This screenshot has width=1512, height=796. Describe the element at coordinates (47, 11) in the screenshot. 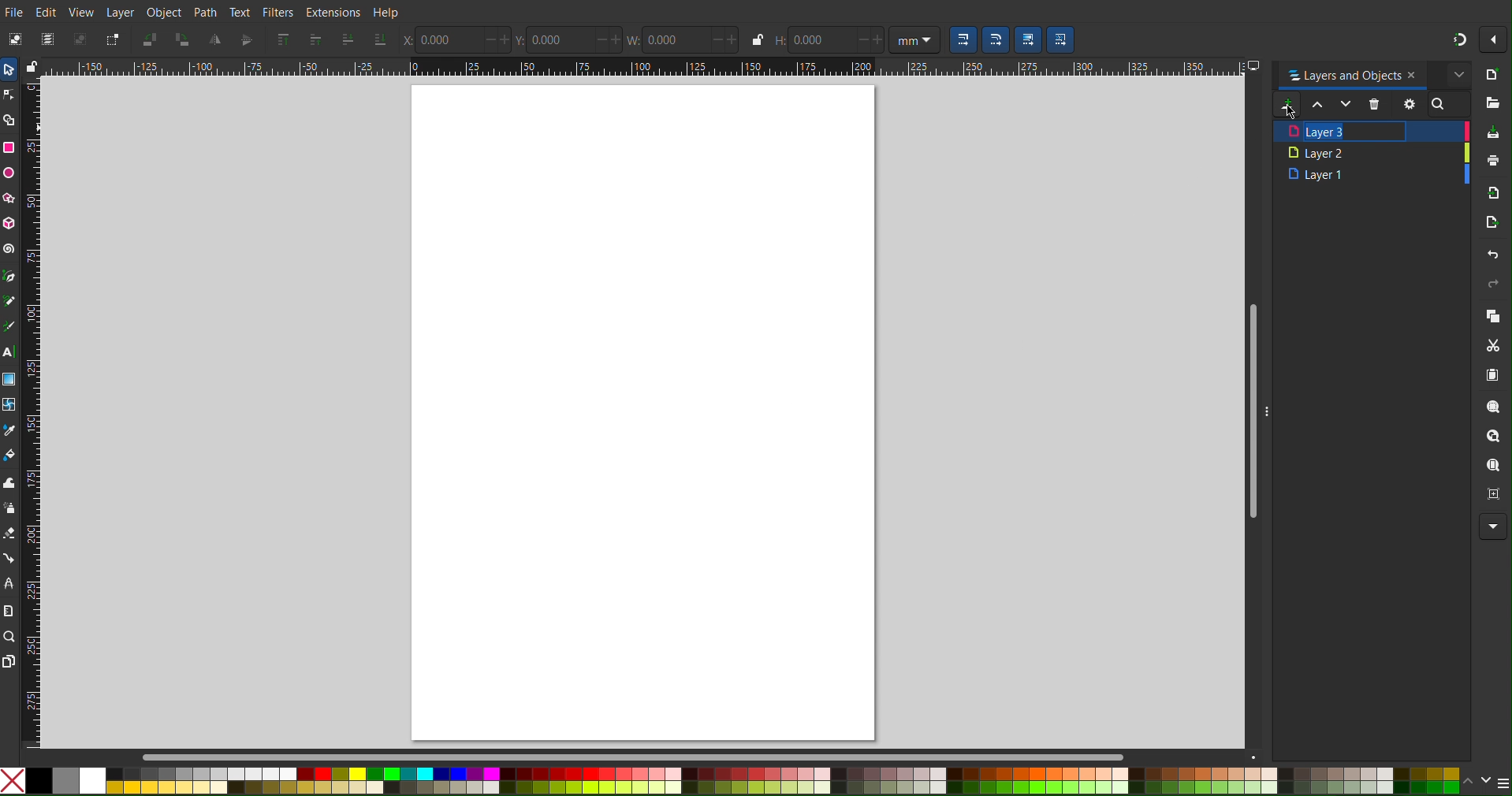

I see `Edit` at that location.